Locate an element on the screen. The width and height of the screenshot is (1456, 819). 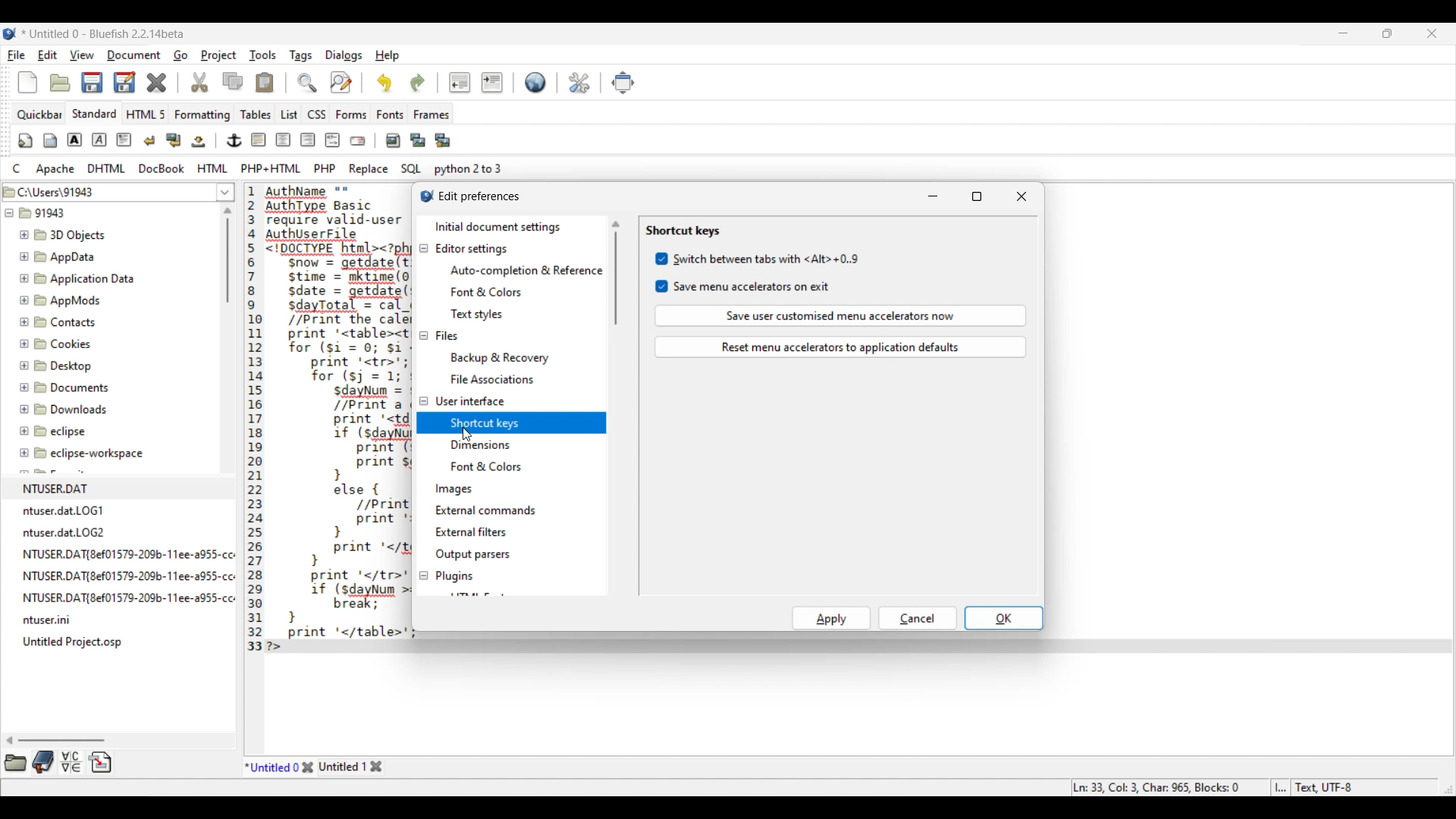
Section title is located at coordinates (684, 231).